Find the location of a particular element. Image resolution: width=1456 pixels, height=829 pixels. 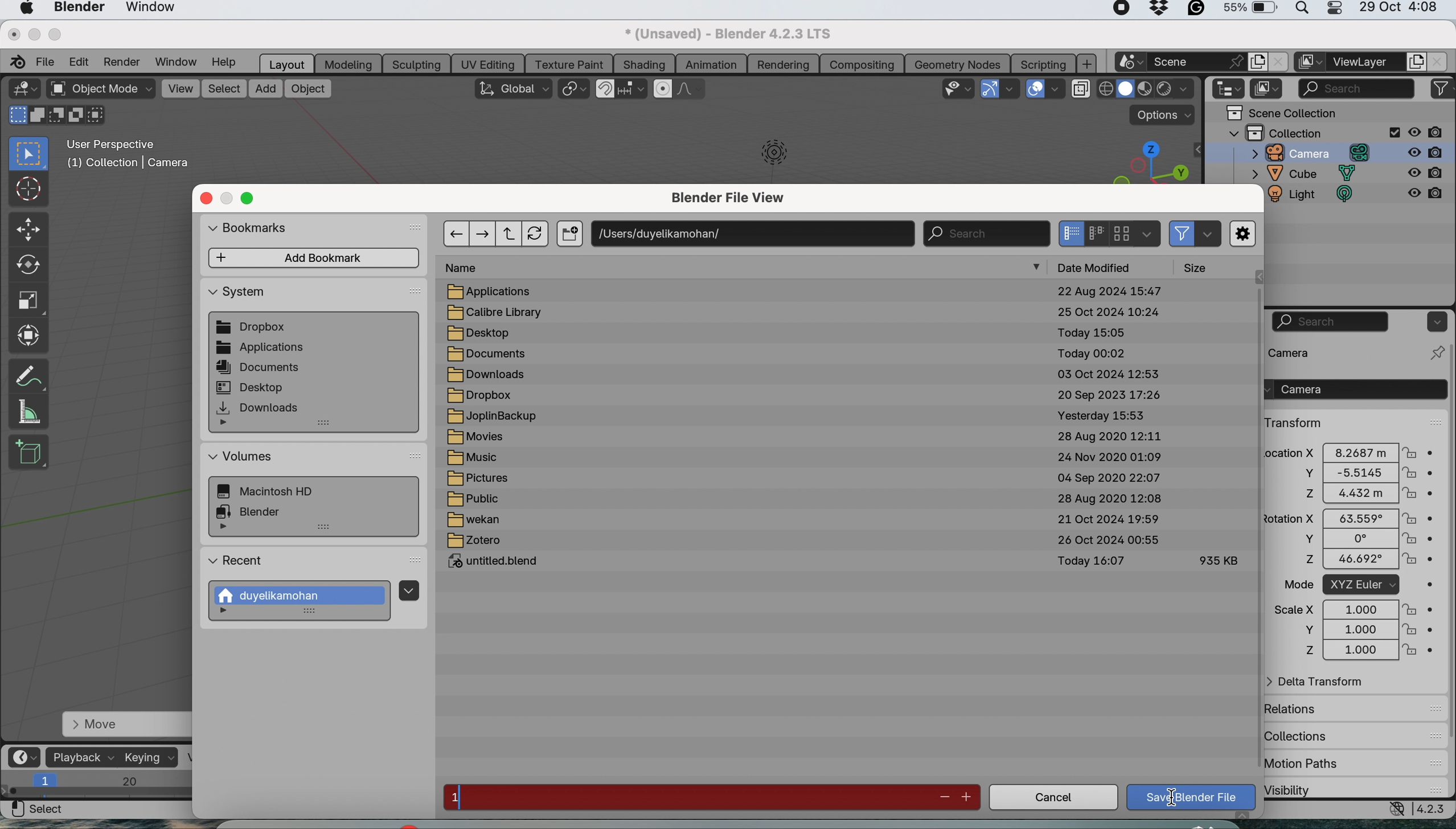

edit is located at coordinates (79, 61).